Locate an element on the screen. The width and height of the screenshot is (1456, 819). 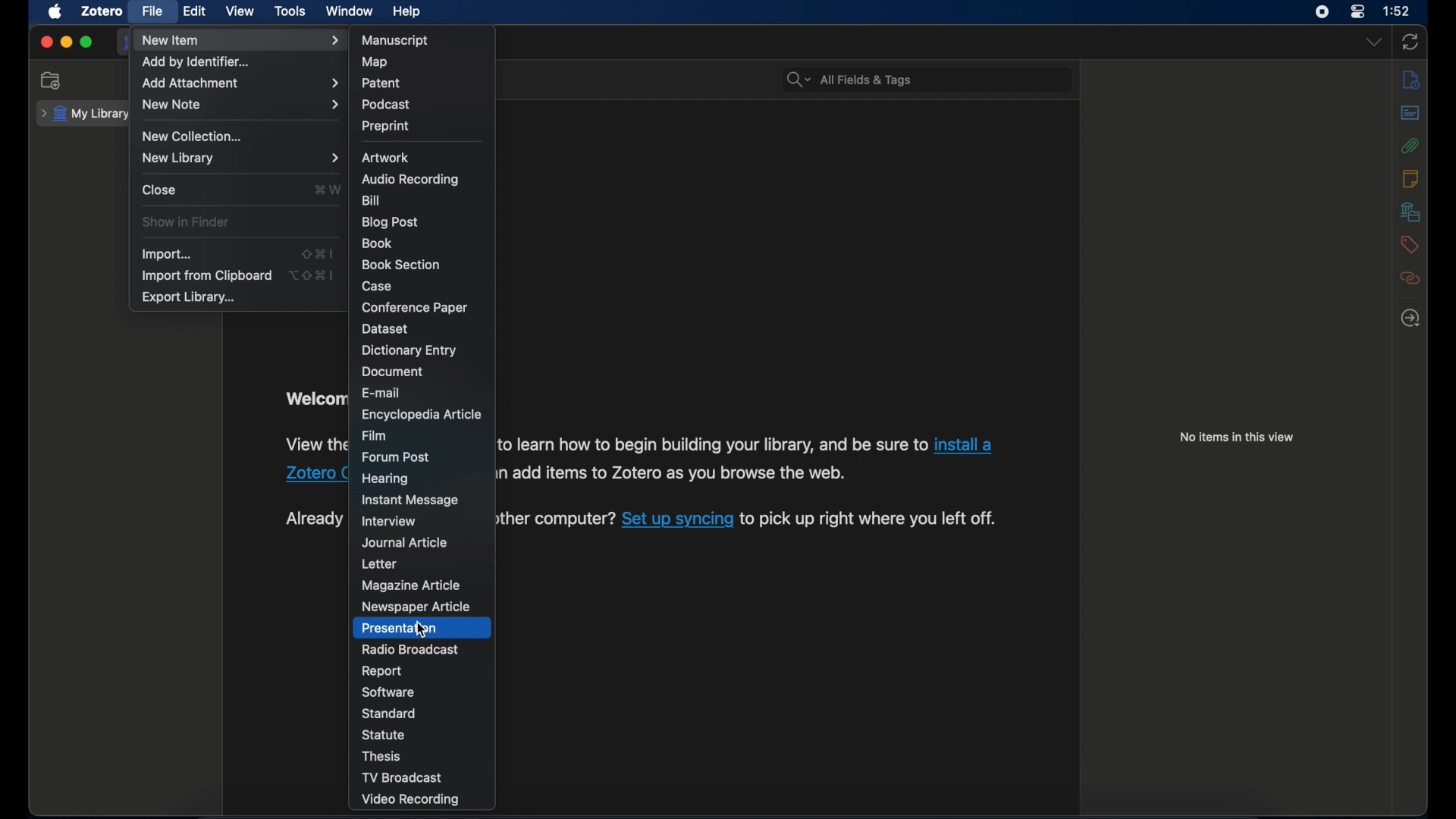
conference paper is located at coordinates (415, 306).